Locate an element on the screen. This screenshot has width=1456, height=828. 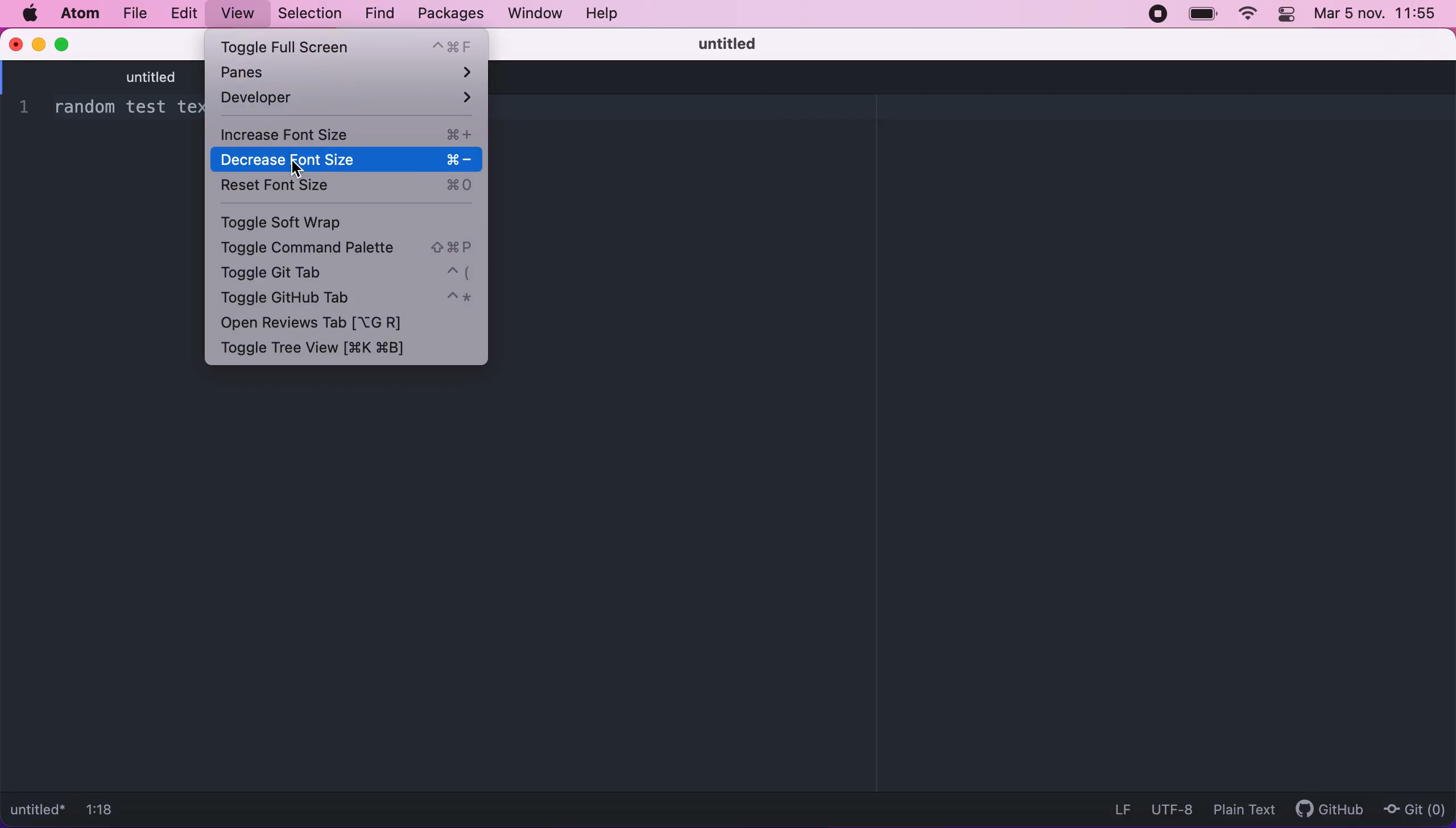
battery is located at coordinates (1198, 18).